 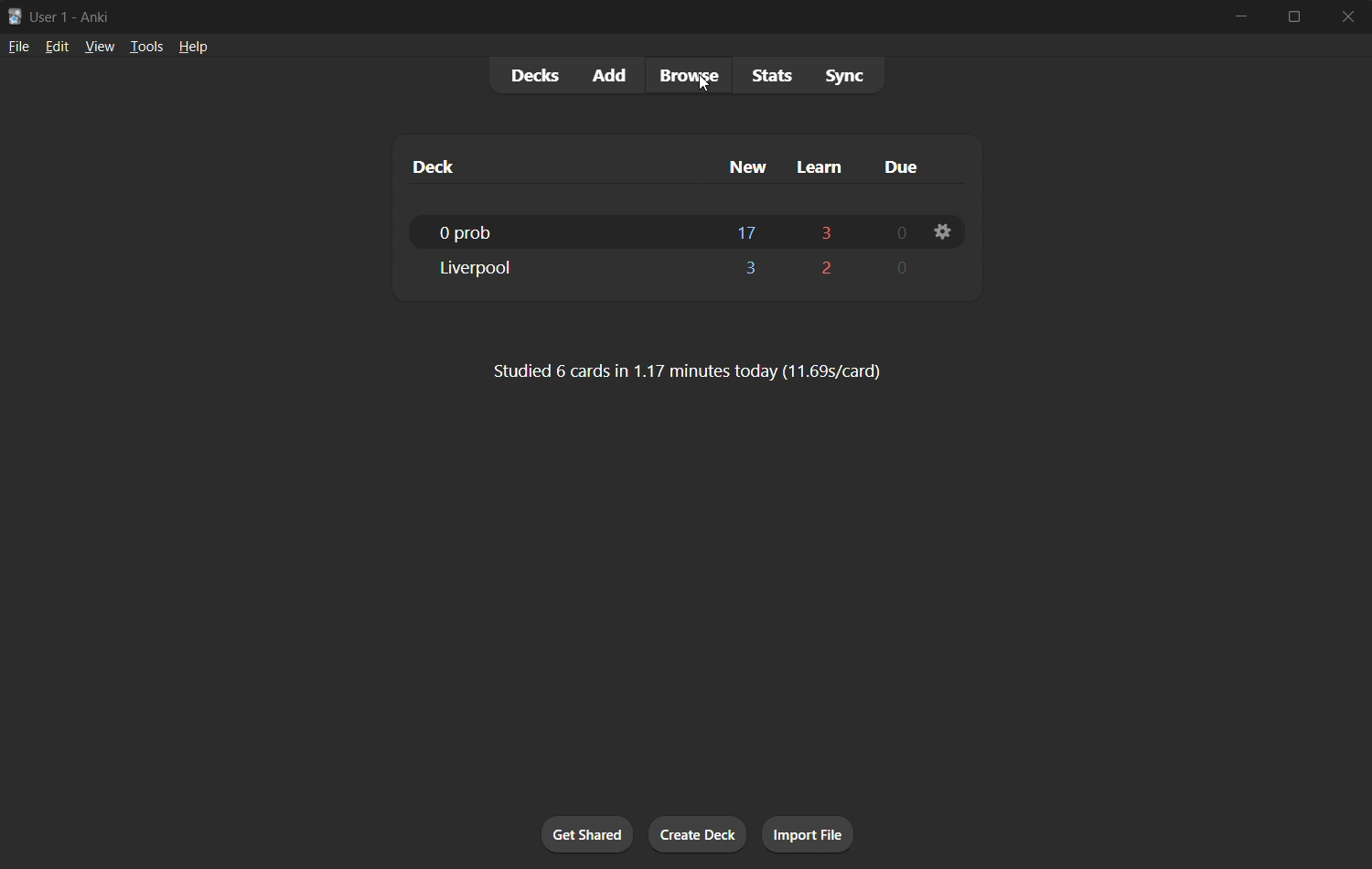 What do you see at coordinates (101, 46) in the screenshot?
I see `view` at bounding box center [101, 46].